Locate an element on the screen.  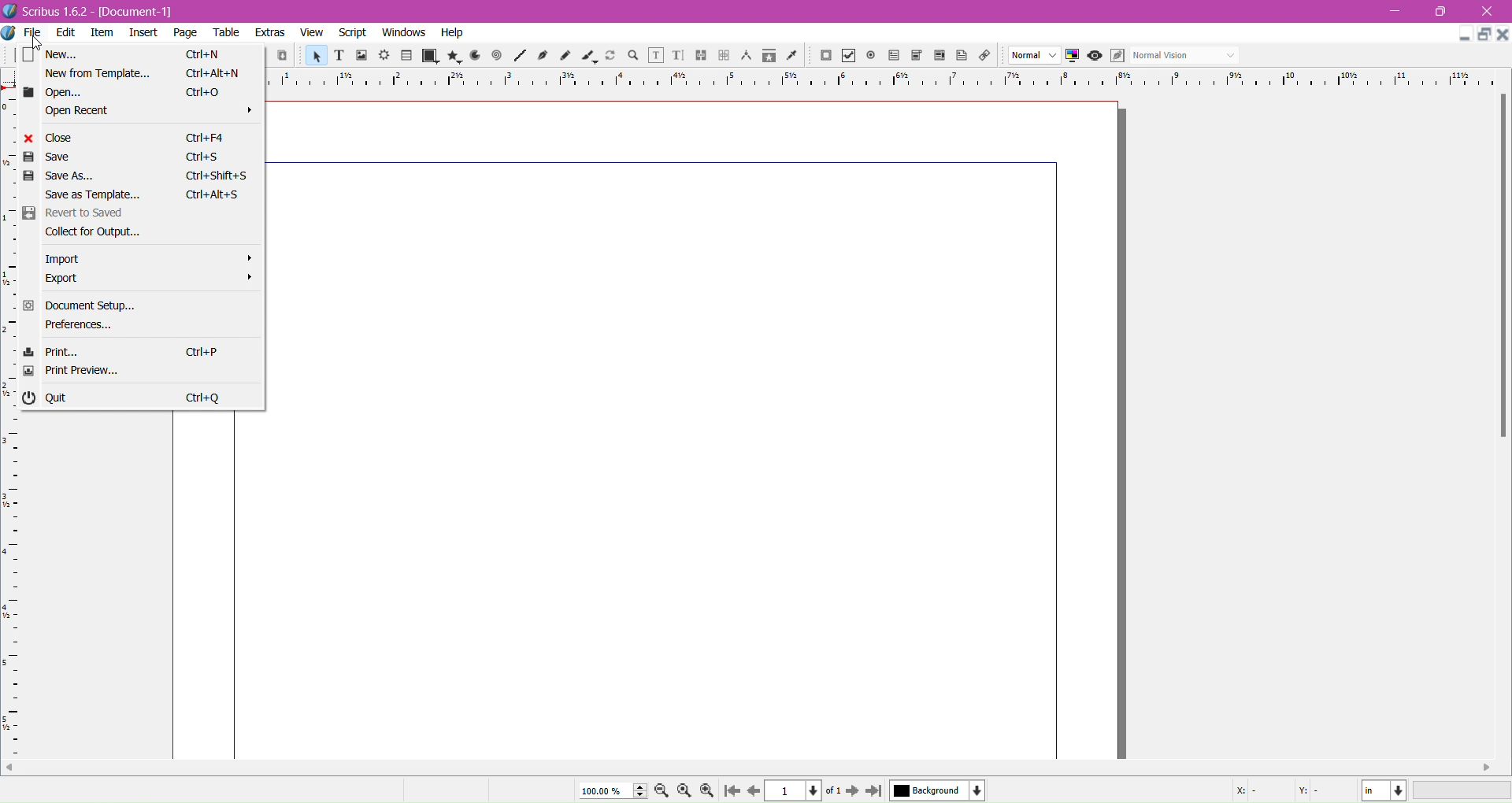
Link Annotations is located at coordinates (985, 55).